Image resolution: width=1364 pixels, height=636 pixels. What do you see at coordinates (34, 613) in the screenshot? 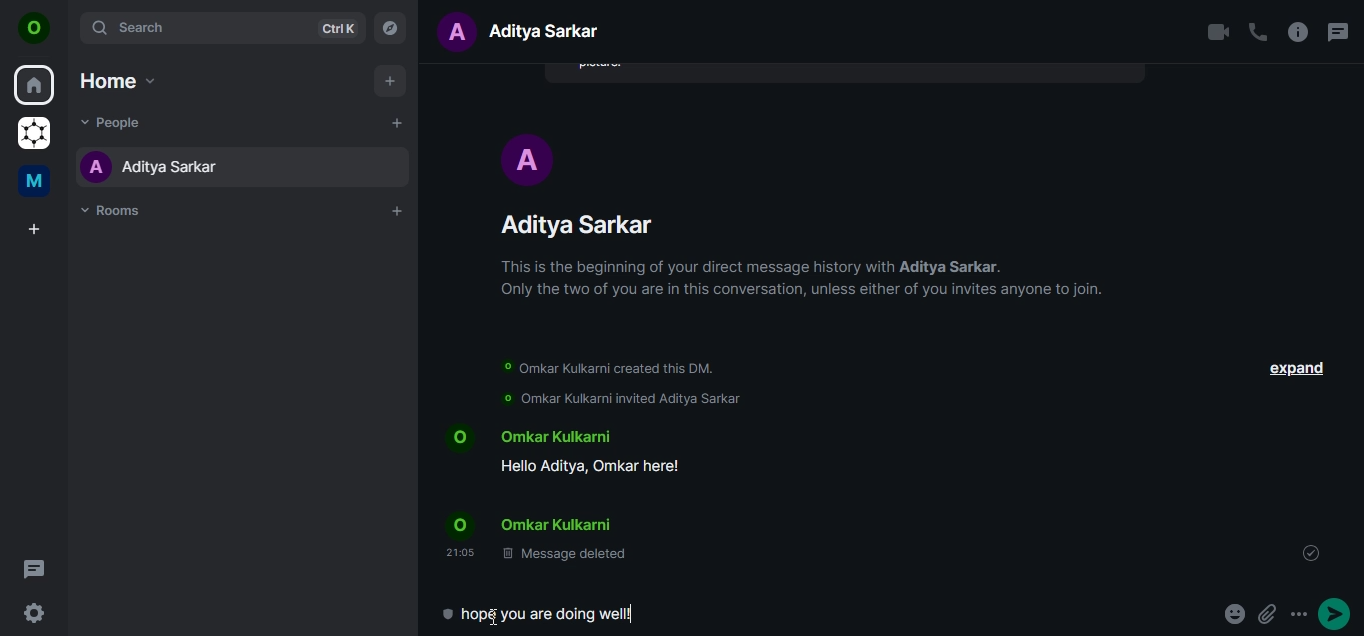
I see `quick settings` at bounding box center [34, 613].